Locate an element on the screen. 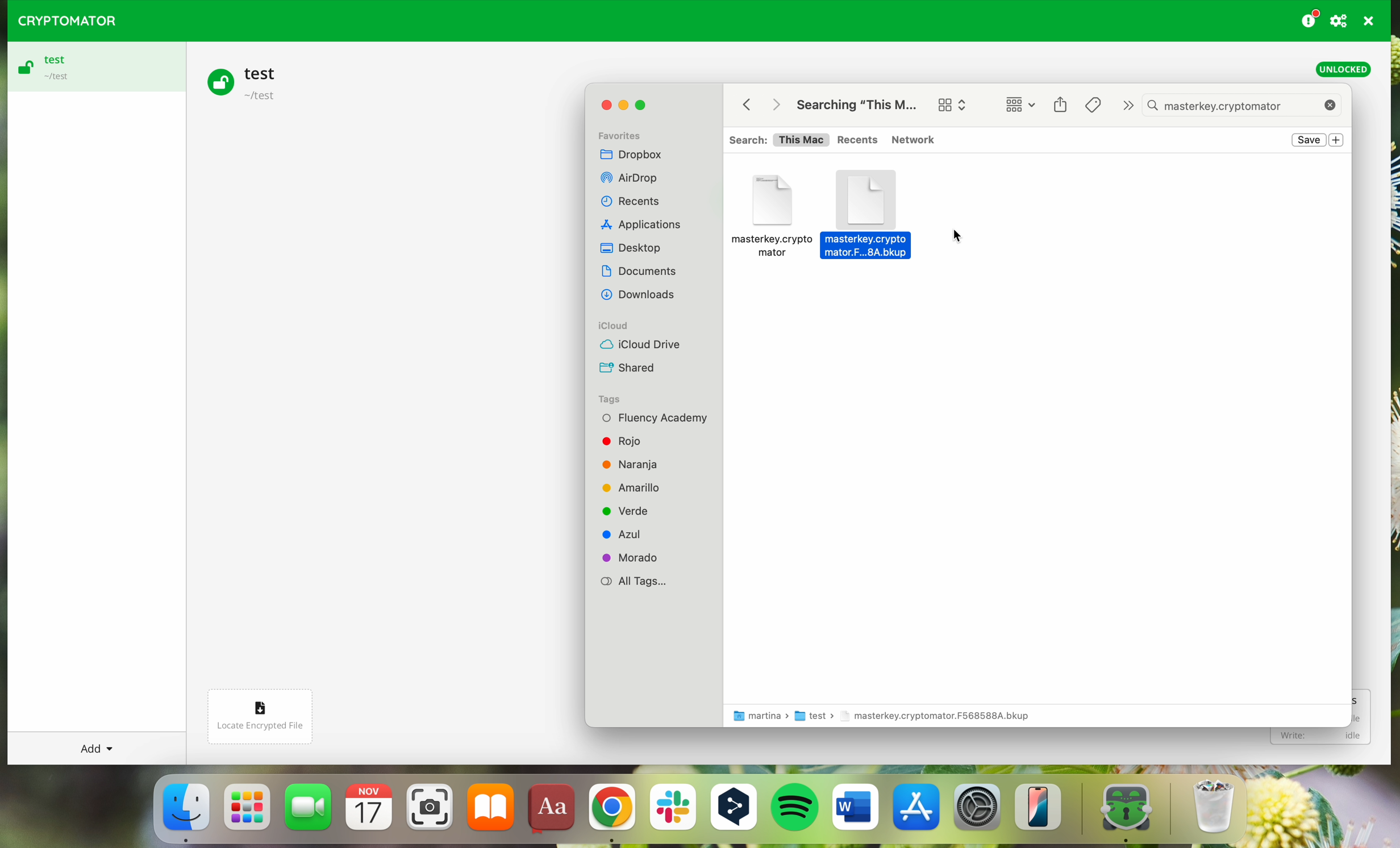  cryptomator app is located at coordinates (1118, 811).